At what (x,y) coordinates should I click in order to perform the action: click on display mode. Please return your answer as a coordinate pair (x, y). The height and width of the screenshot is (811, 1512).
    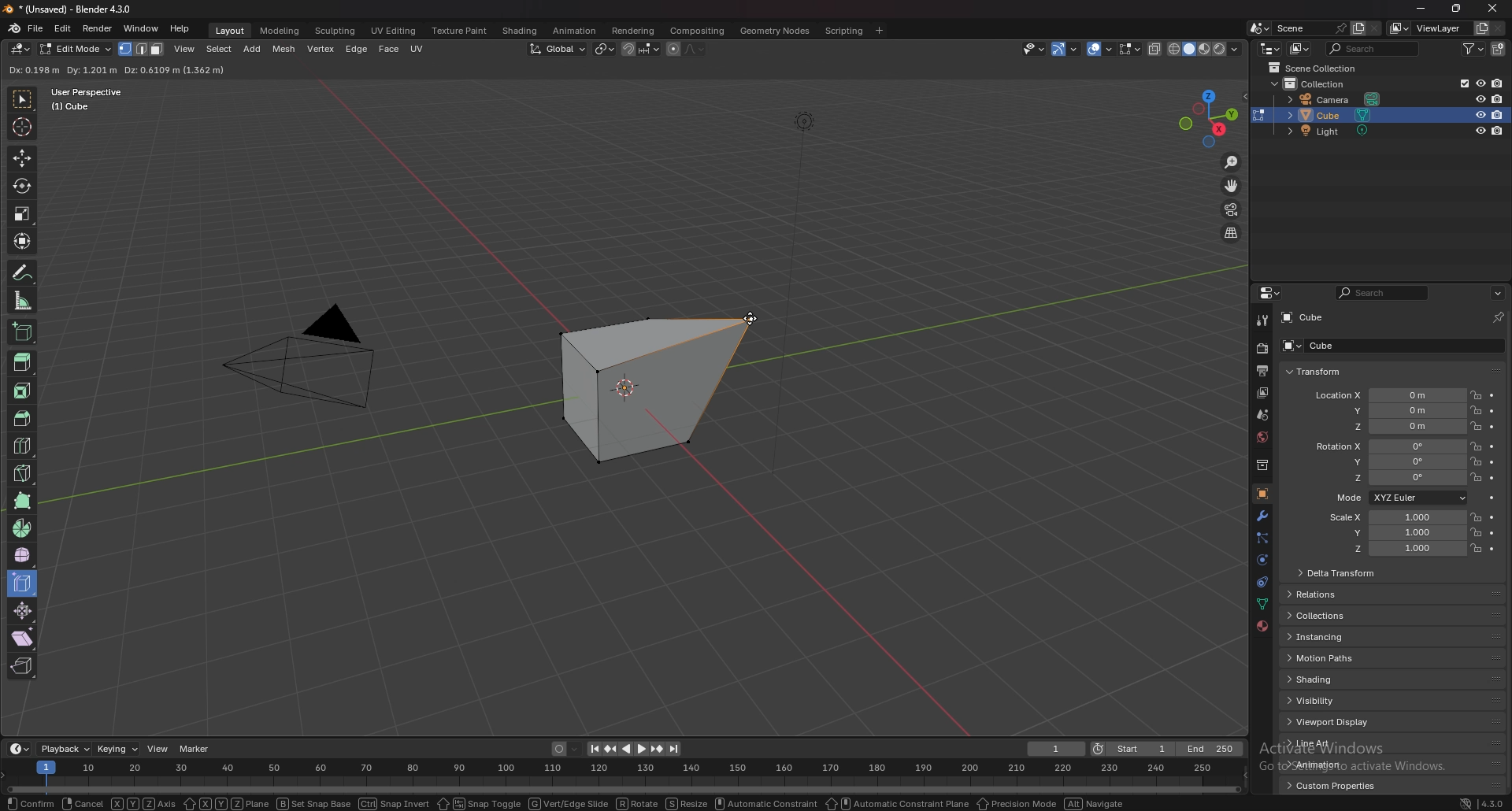
    Looking at the image, I should click on (1300, 49).